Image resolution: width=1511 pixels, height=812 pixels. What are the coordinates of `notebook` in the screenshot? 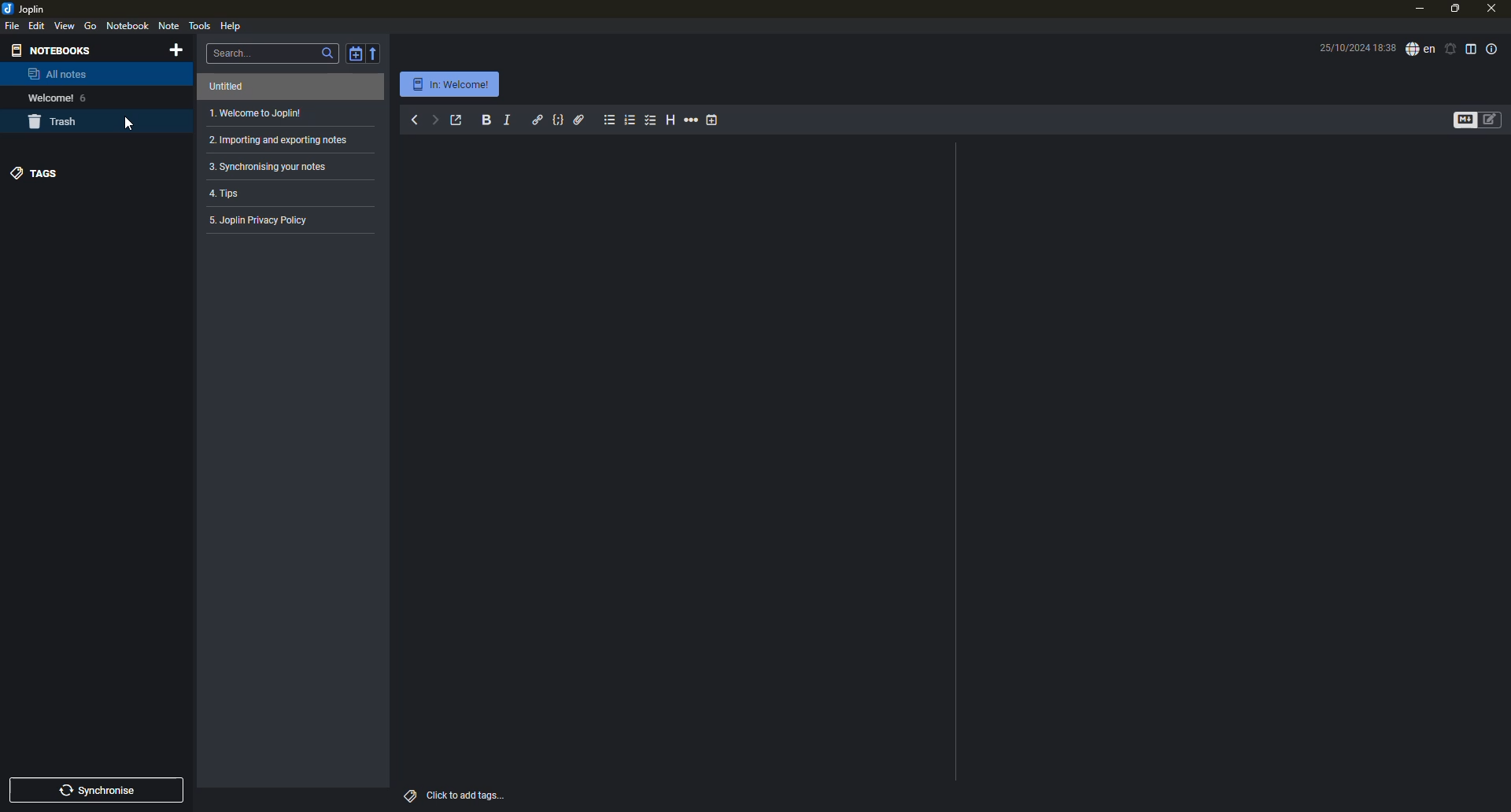 It's located at (128, 25).